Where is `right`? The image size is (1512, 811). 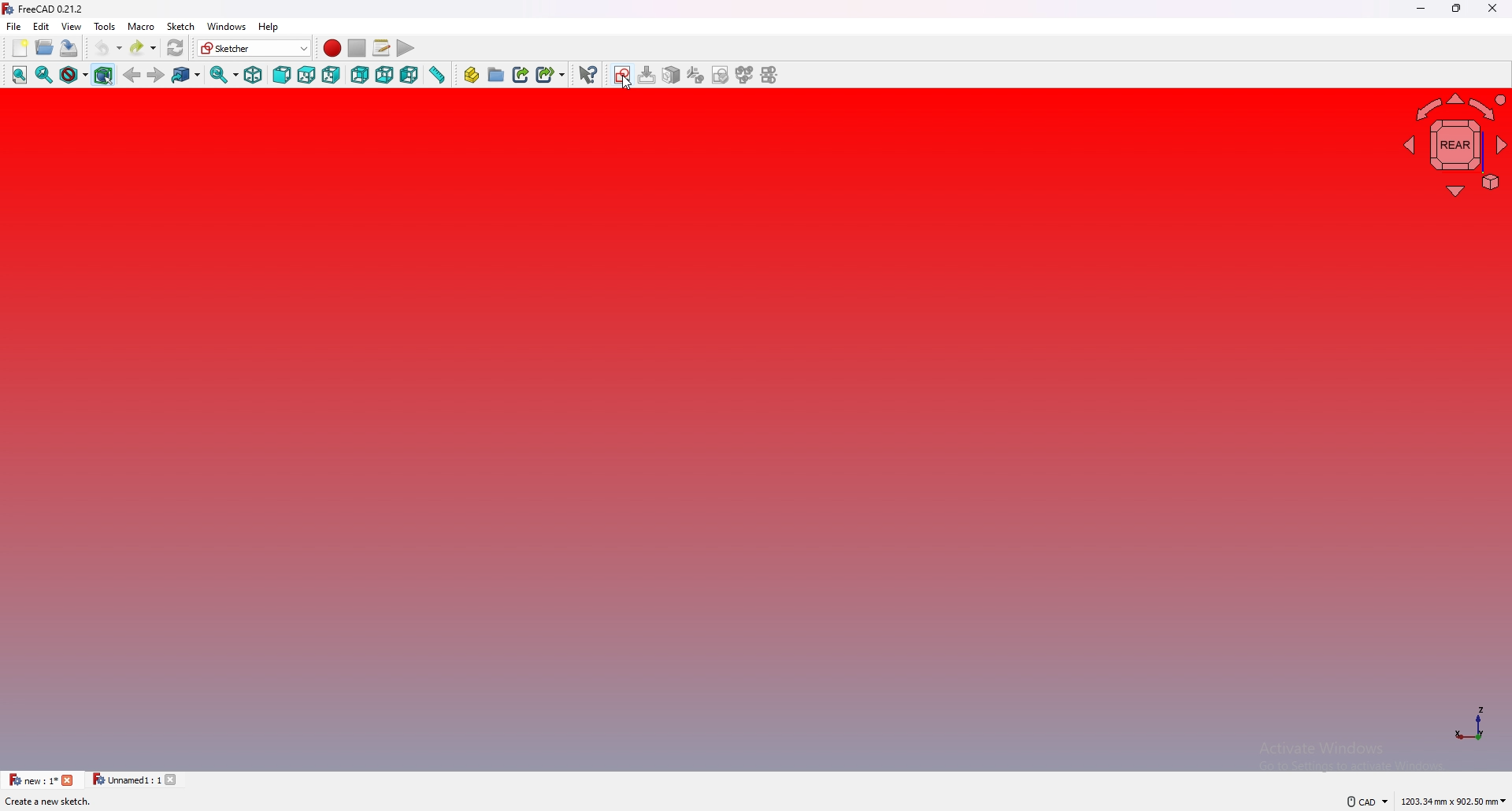 right is located at coordinates (332, 75).